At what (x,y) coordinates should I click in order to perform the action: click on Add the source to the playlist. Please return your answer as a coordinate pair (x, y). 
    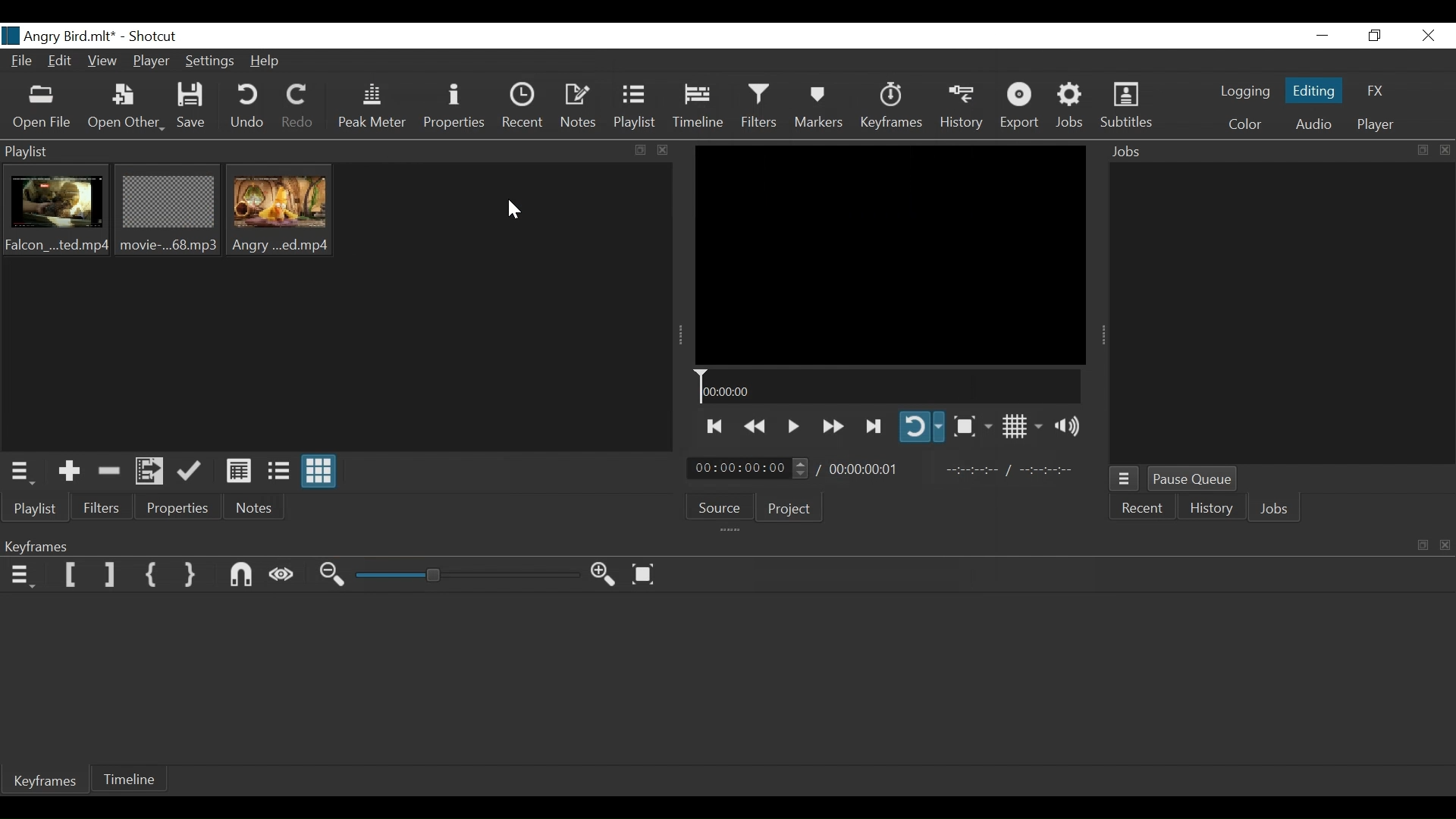
    Looking at the image, I should click on (72, 470).